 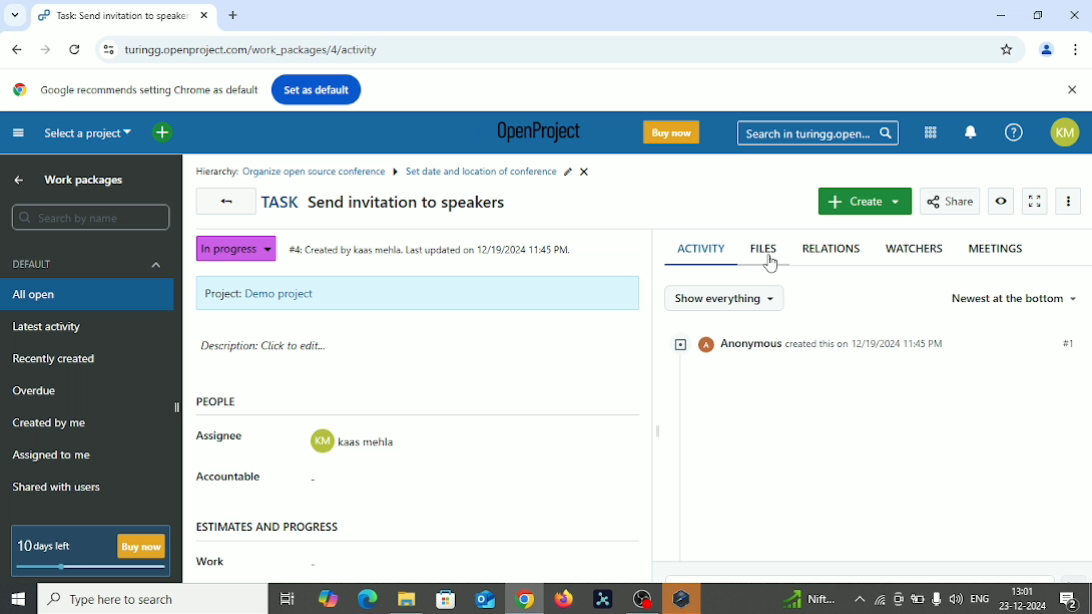 I want to click on Customize and control google chrome, so click(x=1078, y=49).